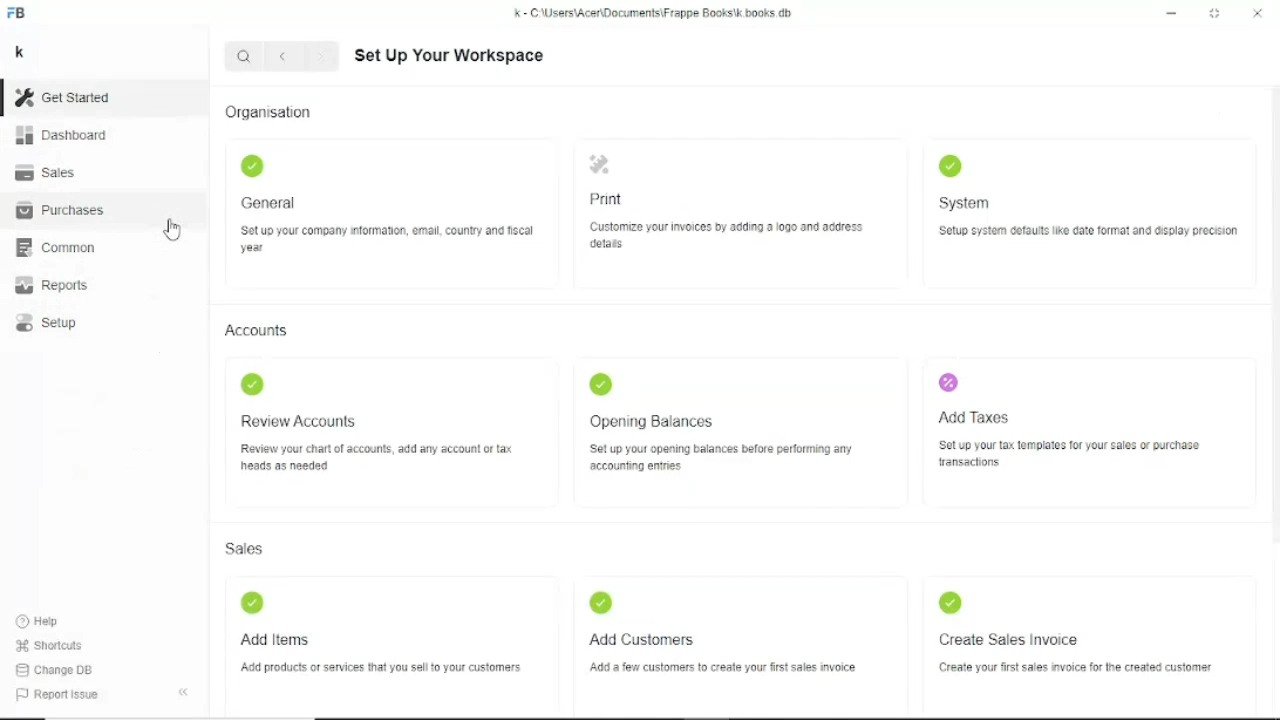 The image size is (1280, 720). Describe the element at coordinates (1072, 424) in the screenshot. I see `Add taxes  set up your tax templates for your sales or purchase transactions.` at that location.